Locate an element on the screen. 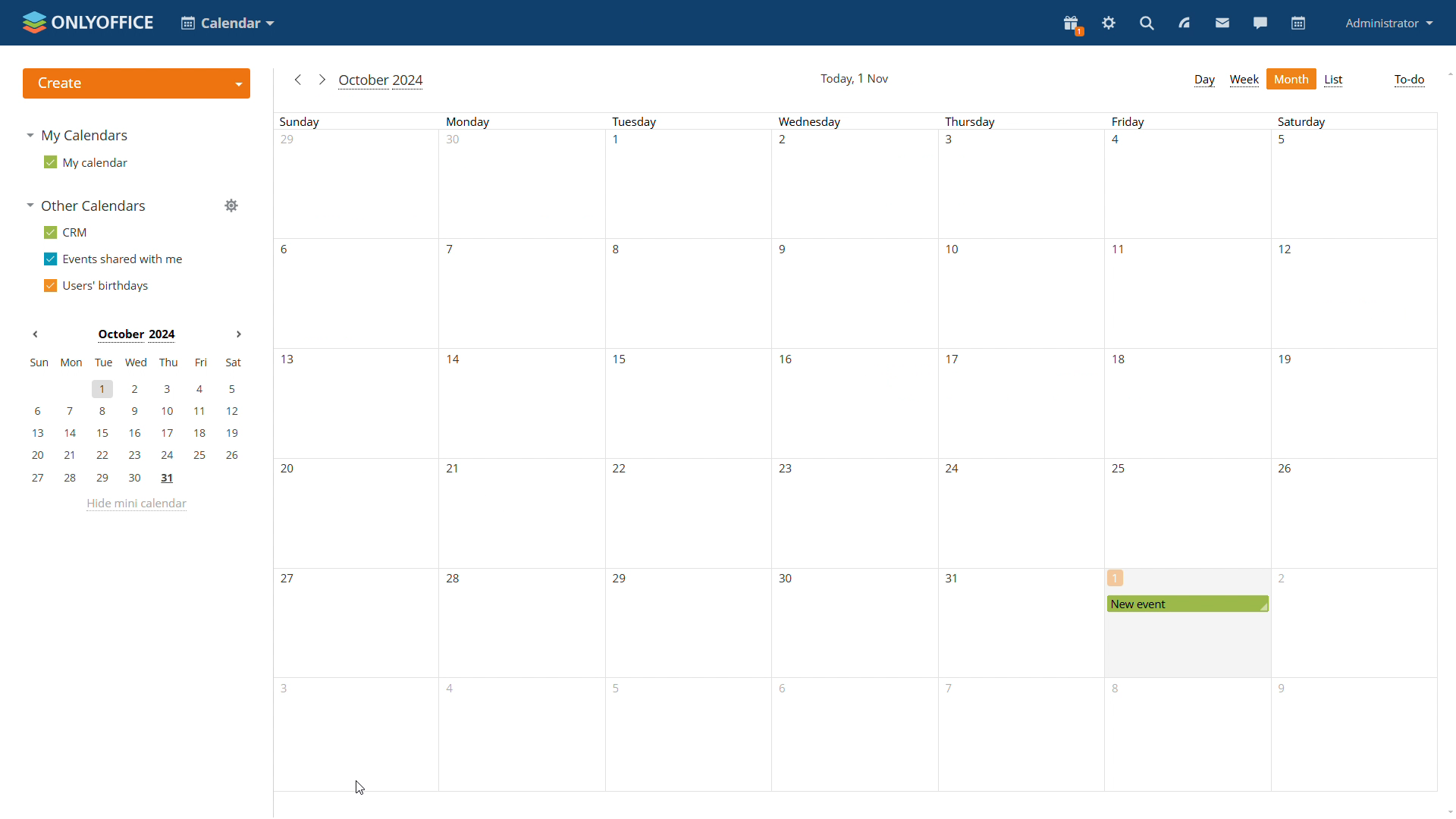 This screenshot has width=1456, height=819. feed is located at coordinates (1185, 24).